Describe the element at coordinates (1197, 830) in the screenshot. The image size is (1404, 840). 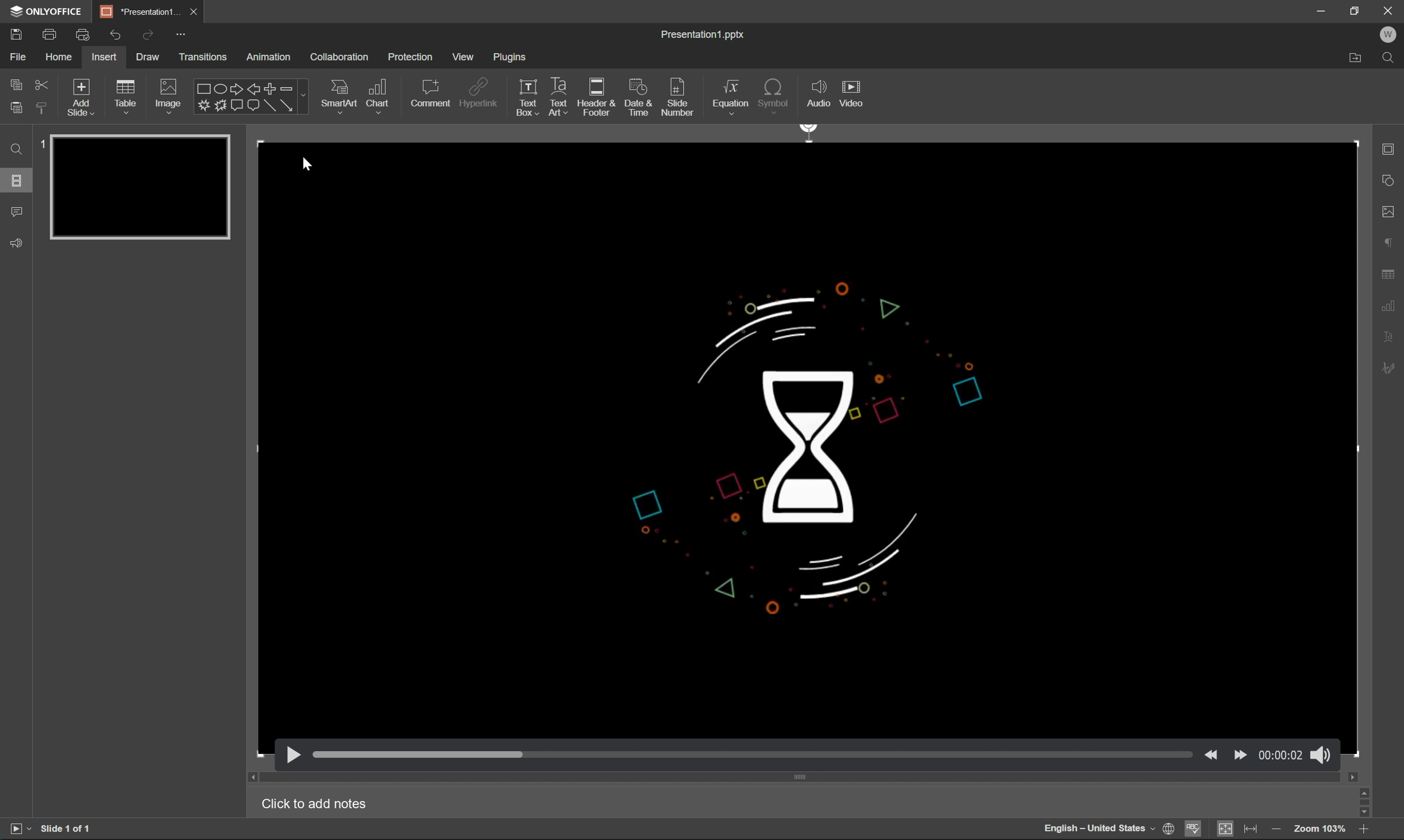
I see `spell checking` at that location.